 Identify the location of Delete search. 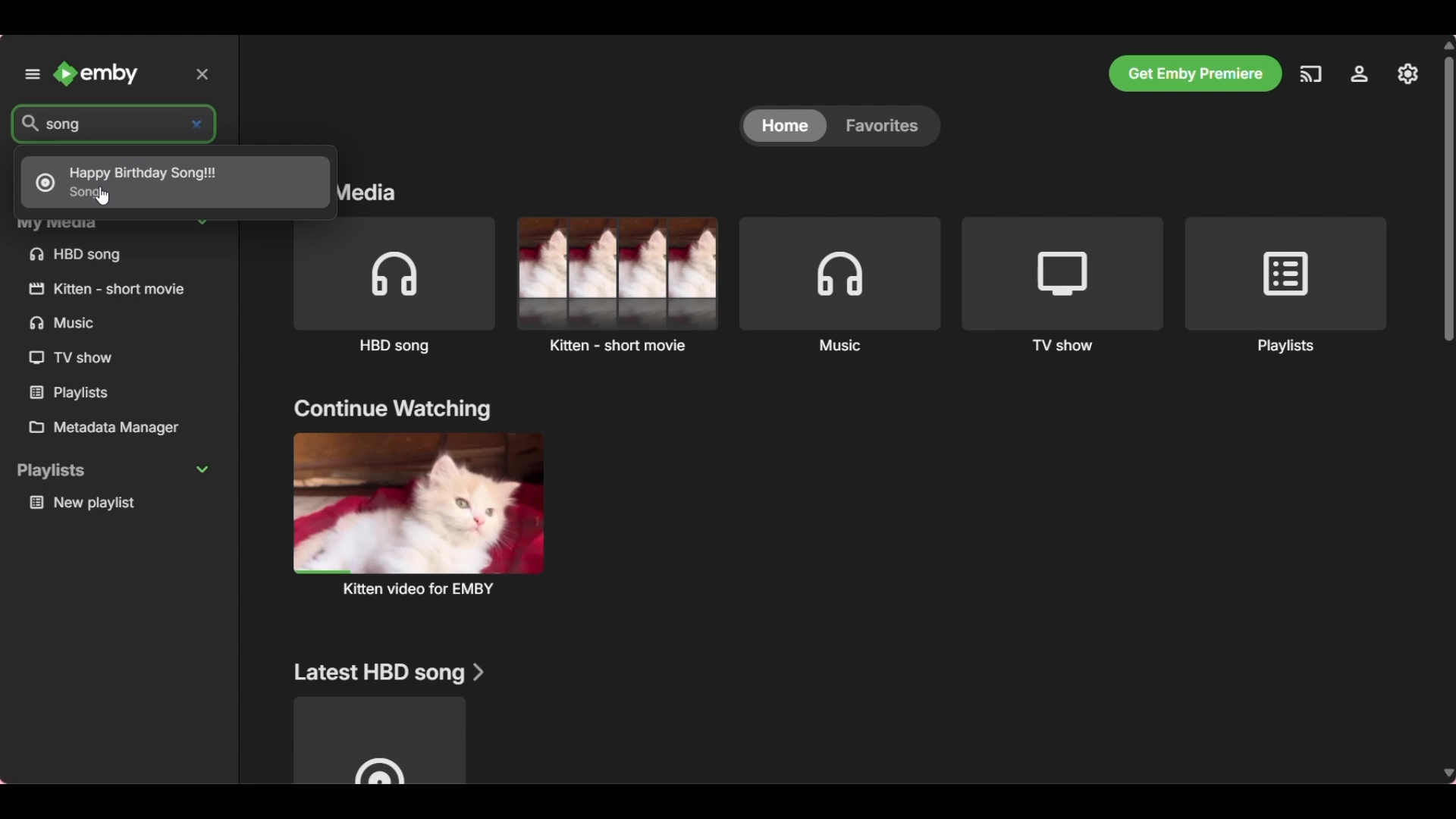
(200, 121).